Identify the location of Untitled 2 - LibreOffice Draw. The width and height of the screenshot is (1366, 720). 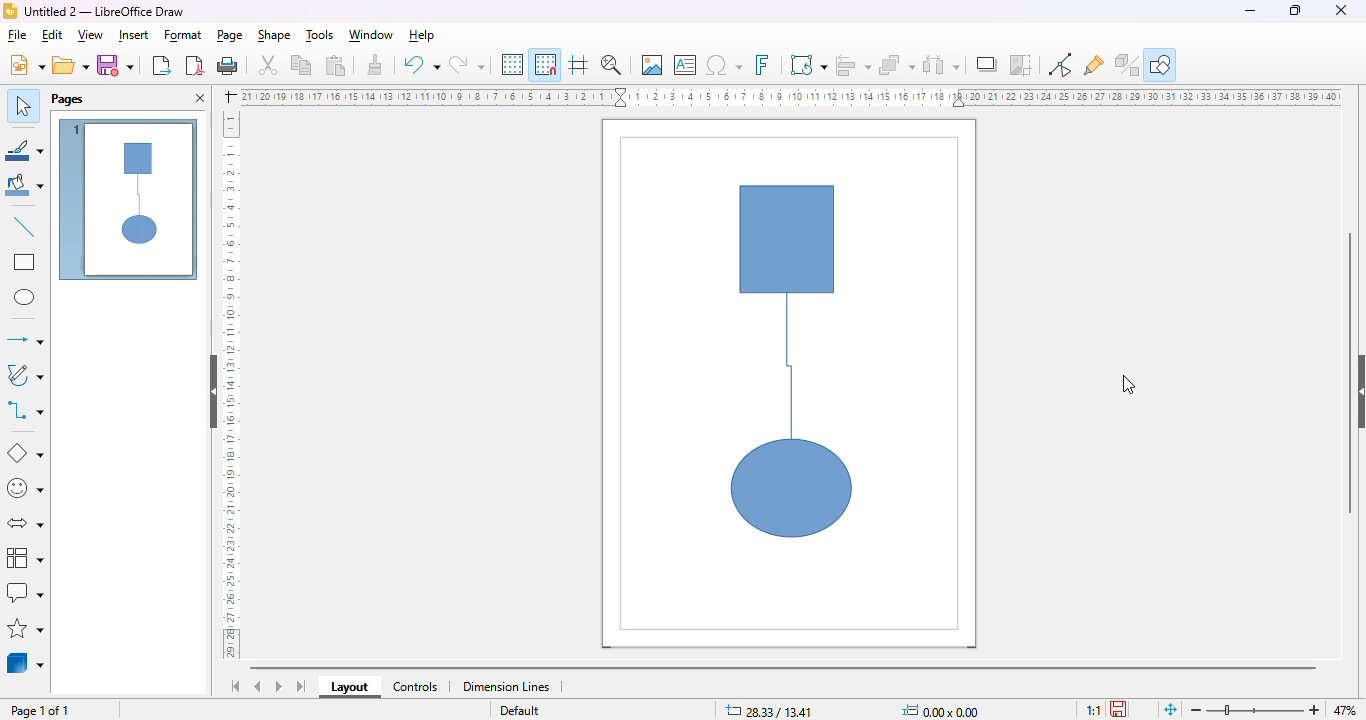
(105, 11).